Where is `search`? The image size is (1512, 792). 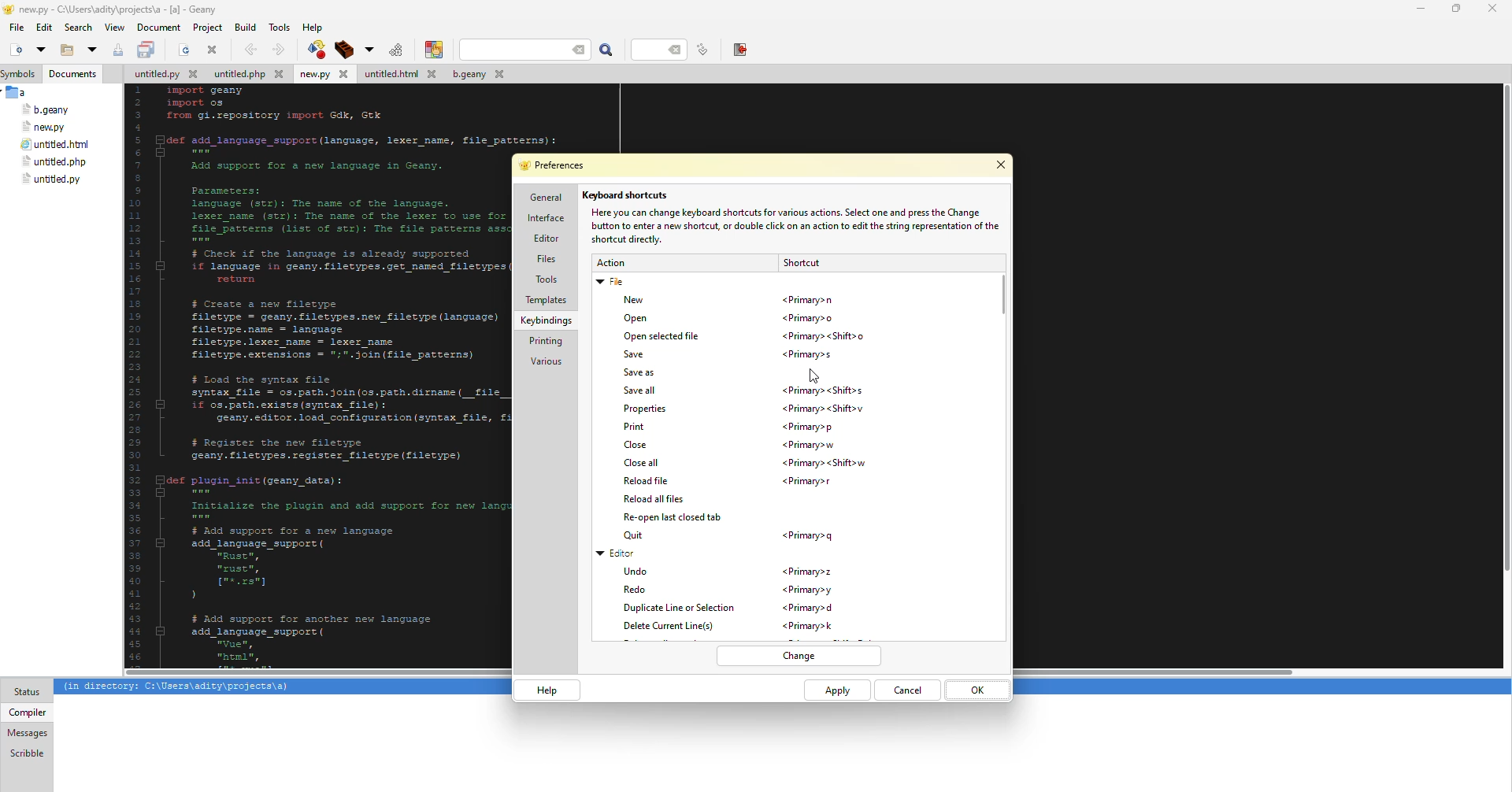
search is located at coordinates (79, 28).